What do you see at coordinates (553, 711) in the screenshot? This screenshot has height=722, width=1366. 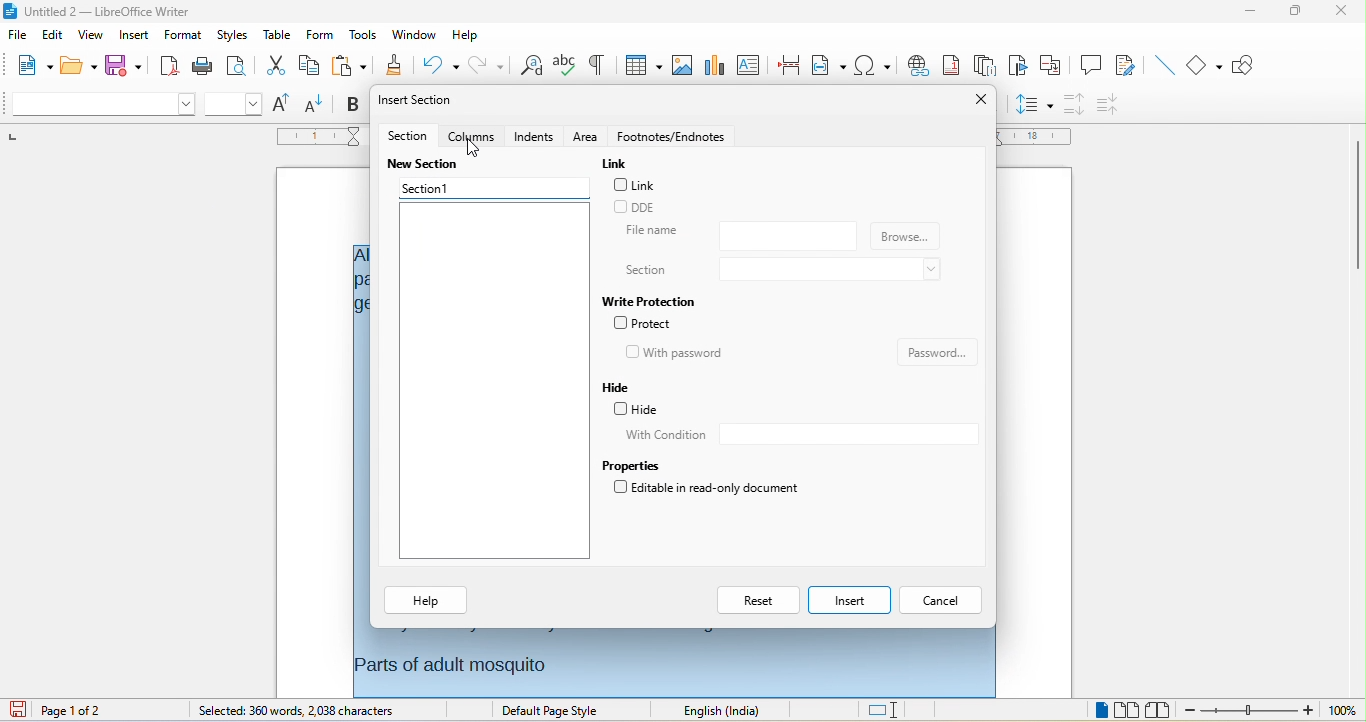 I see `default page style` at bounding box center [553, 711].